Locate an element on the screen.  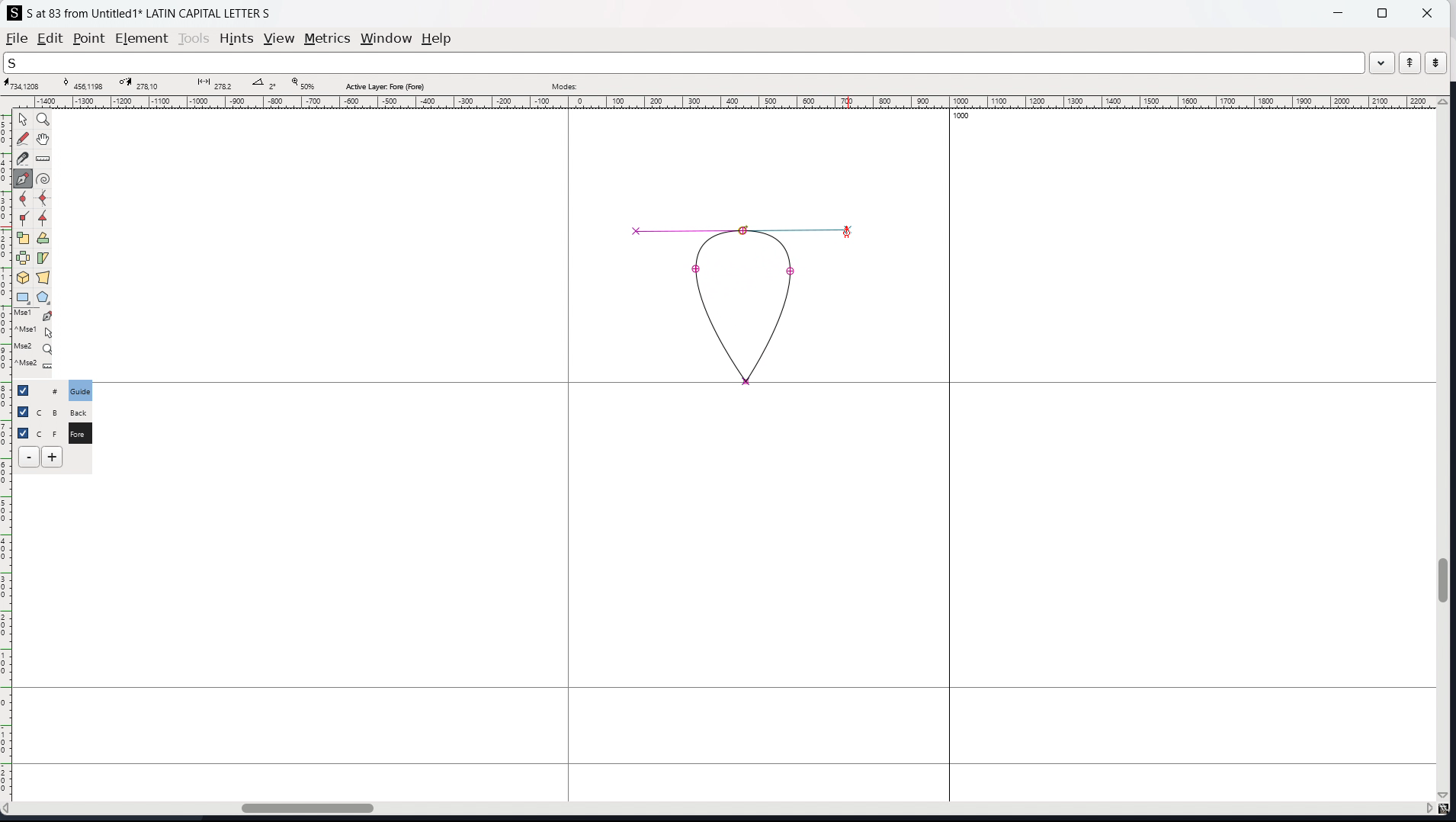
Mse1 is located at coordinates (34, 316).